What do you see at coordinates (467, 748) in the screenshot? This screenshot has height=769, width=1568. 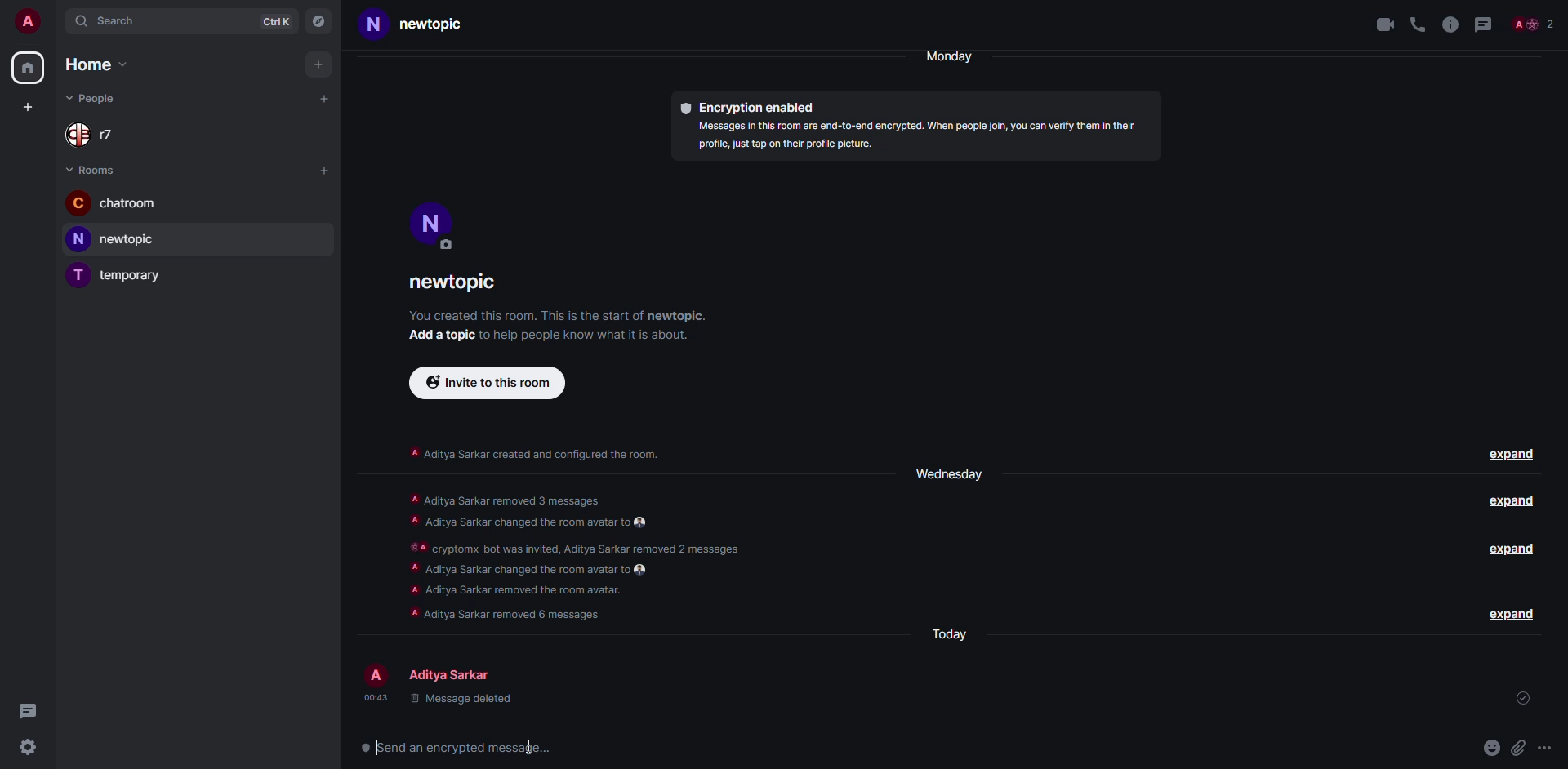 I see `send an encrypted message` at bounding box center [467, 748].